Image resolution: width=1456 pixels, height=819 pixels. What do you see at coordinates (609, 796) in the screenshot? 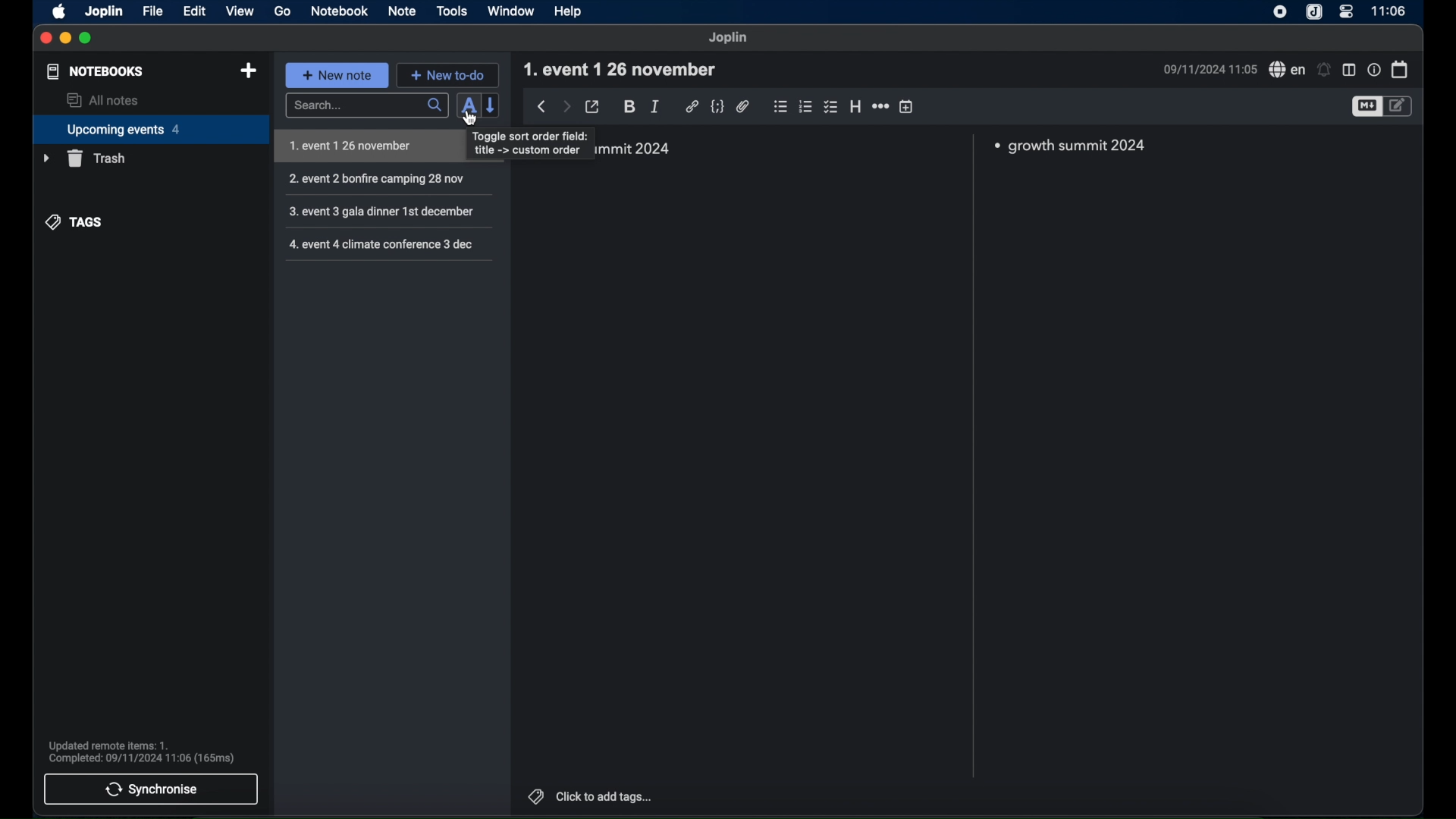
I see `click to add tags` at bounding box center [609, 796].